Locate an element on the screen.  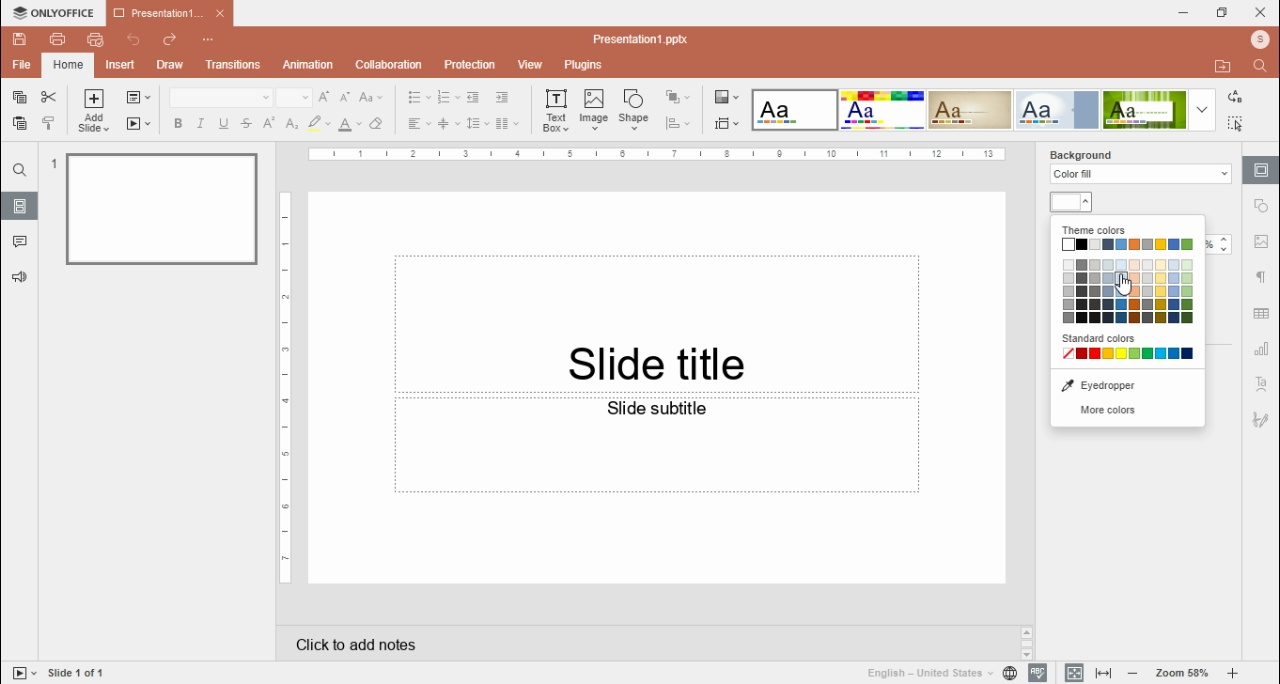
zoom in/zoom out is located at coordinates (1182, 674).